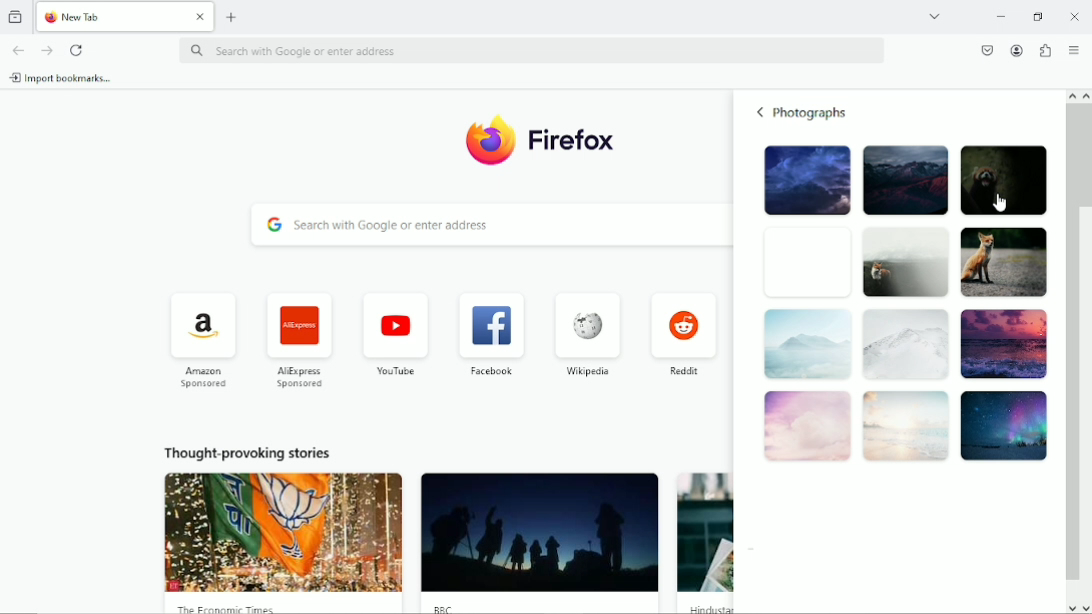 This screenshot has height=614, width=1092. Describe the element at coordinates (1075, 49) in the screenshot. I see `Open application menu` at that location.